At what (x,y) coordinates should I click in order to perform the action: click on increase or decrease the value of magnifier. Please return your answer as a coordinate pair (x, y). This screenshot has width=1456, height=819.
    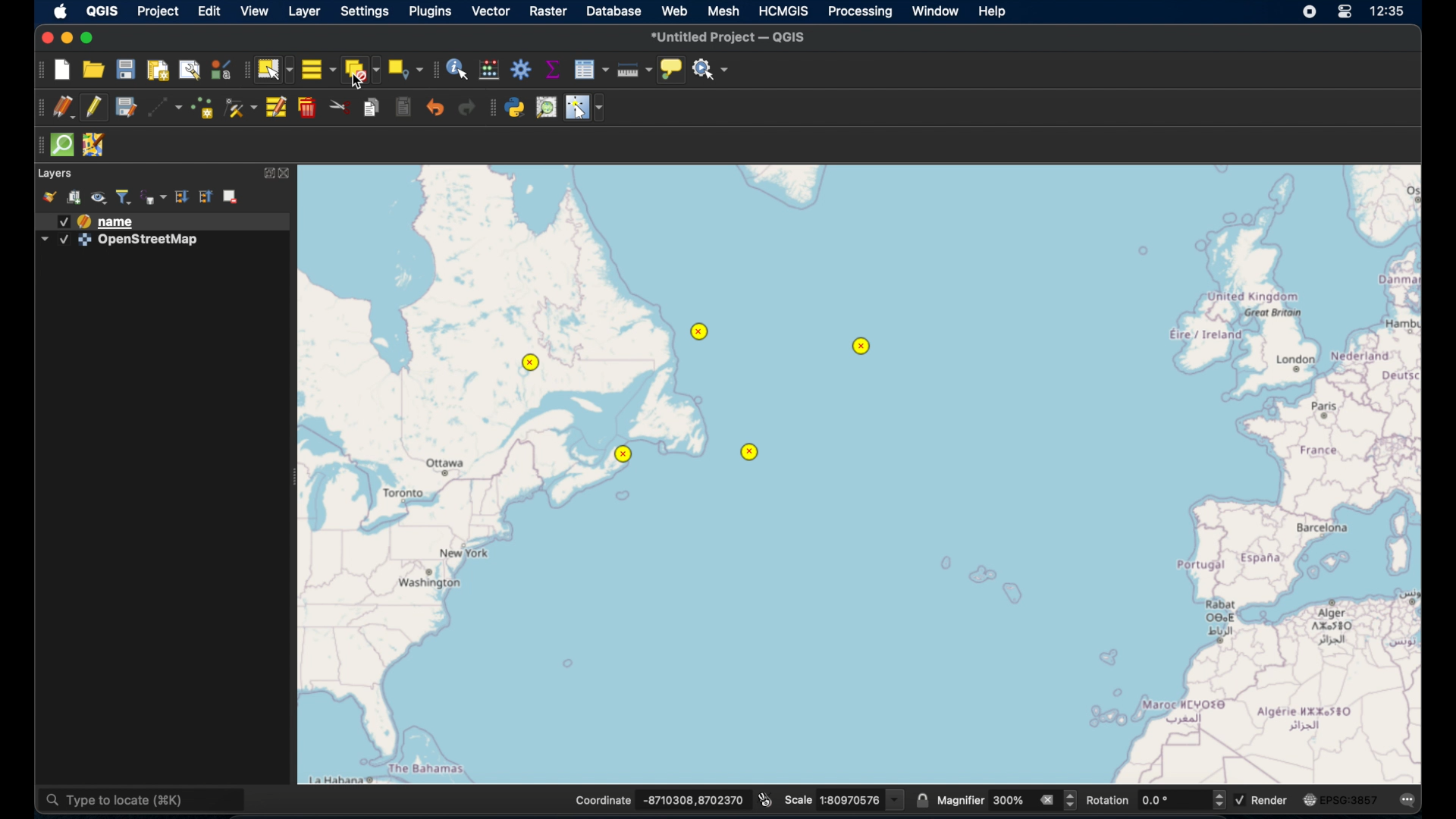
    Looking at the image, I should click on (1072, 801).